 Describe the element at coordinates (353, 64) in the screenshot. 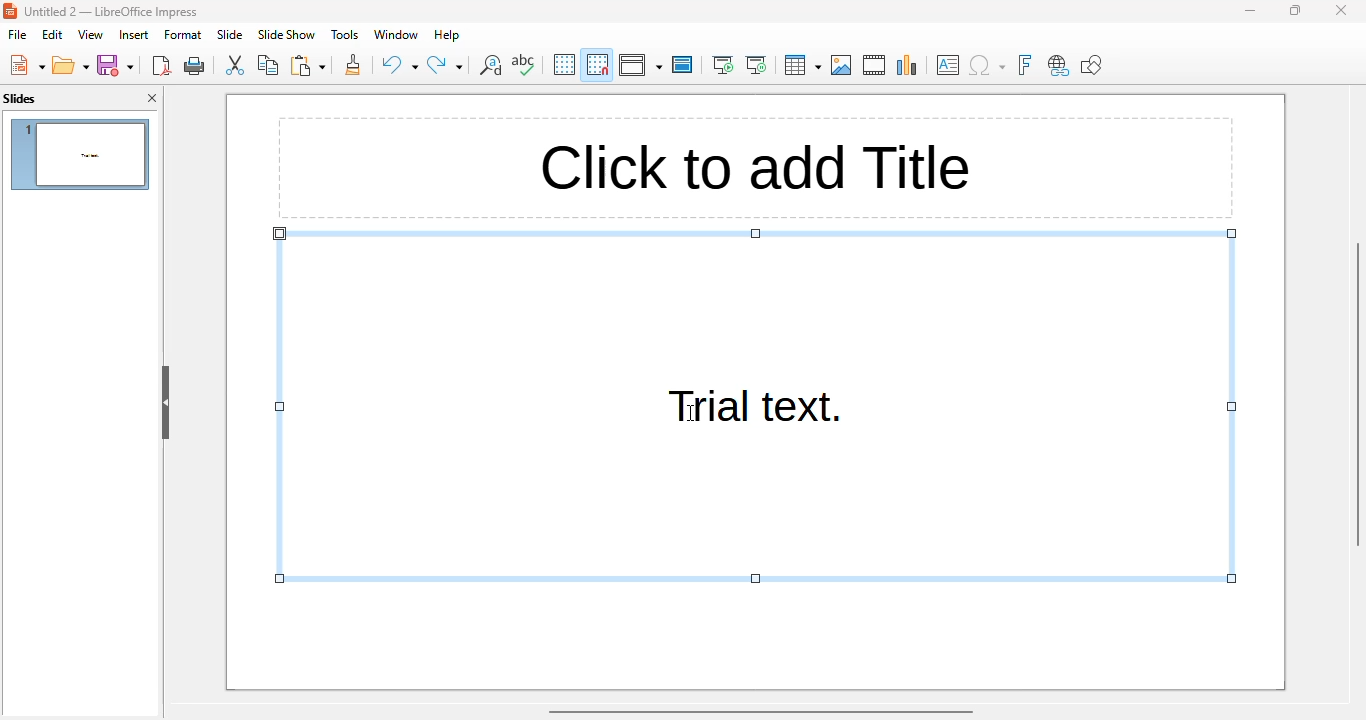

I see `clone formatting` at that location.